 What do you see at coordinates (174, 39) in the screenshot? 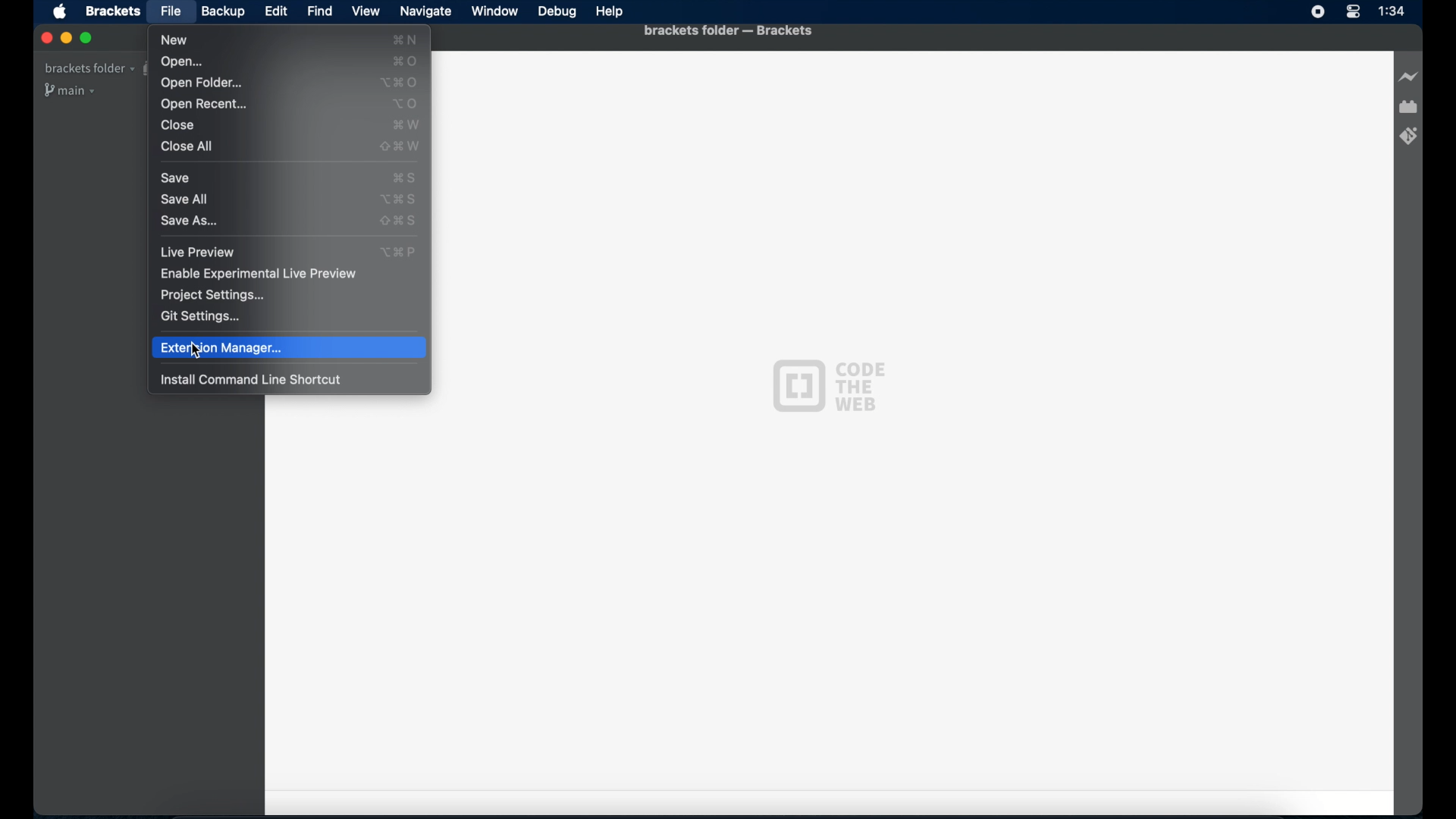
I see `New` at bounding box center [174, 39].